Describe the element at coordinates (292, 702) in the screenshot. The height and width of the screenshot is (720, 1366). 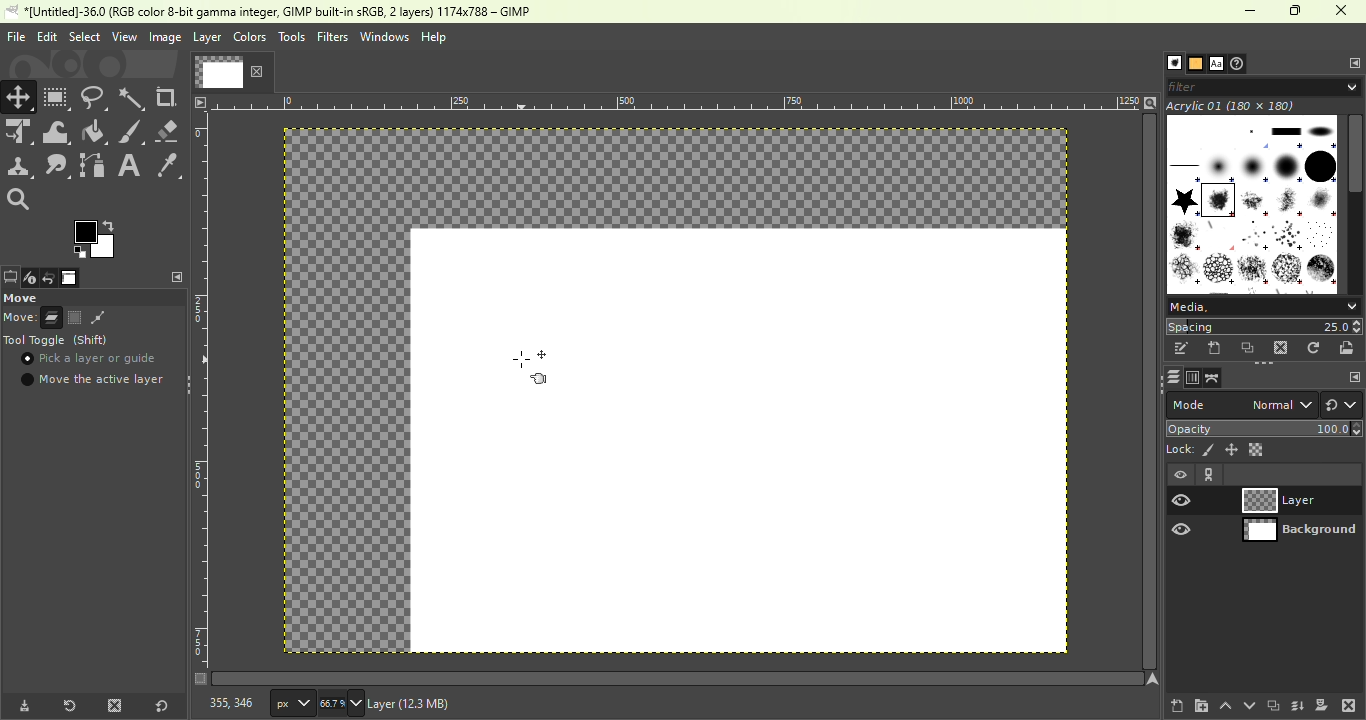
I see `Ruler measurement` at that location.